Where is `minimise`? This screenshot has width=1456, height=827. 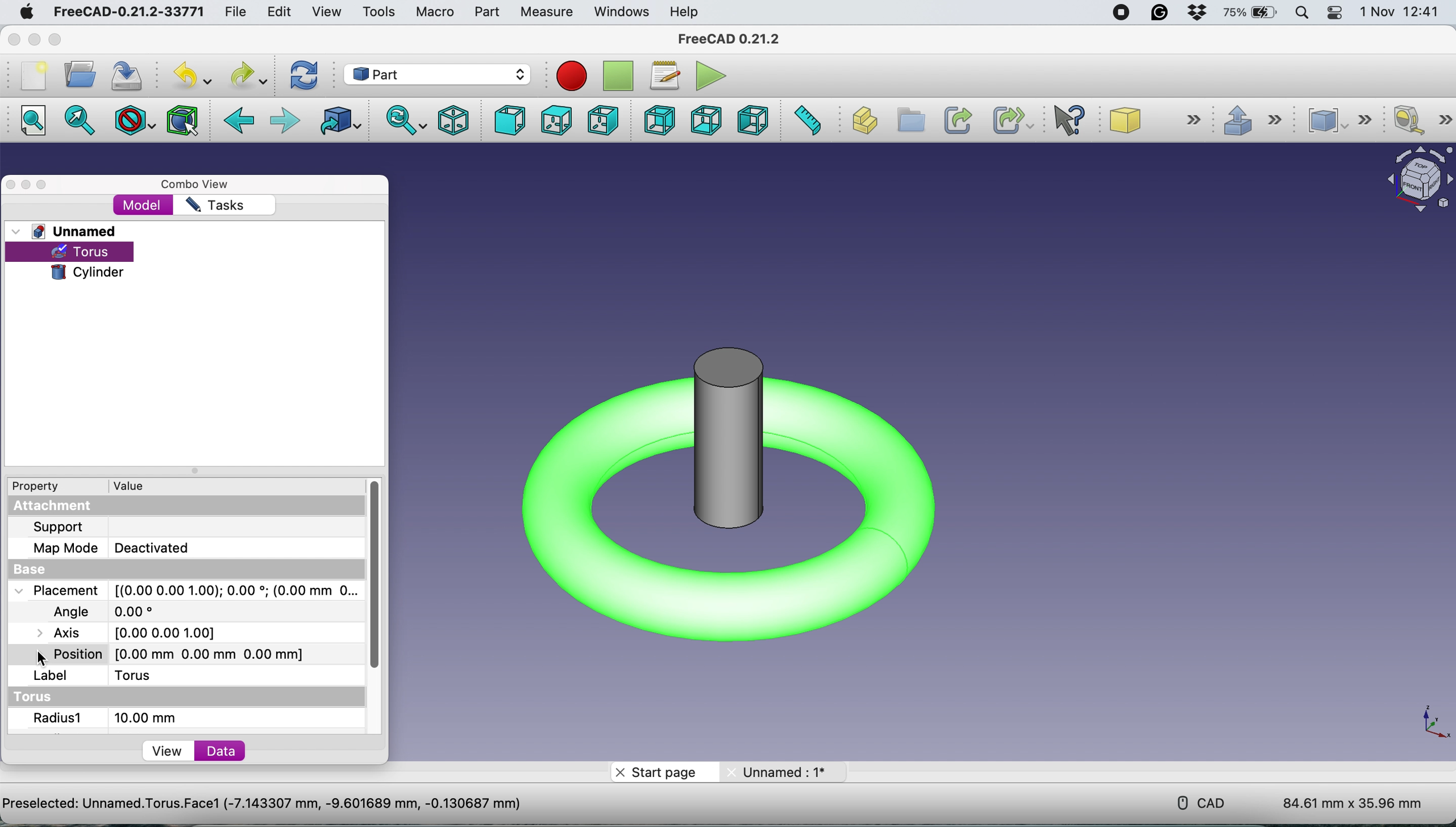
minimise is located at coordinates (27, 186).